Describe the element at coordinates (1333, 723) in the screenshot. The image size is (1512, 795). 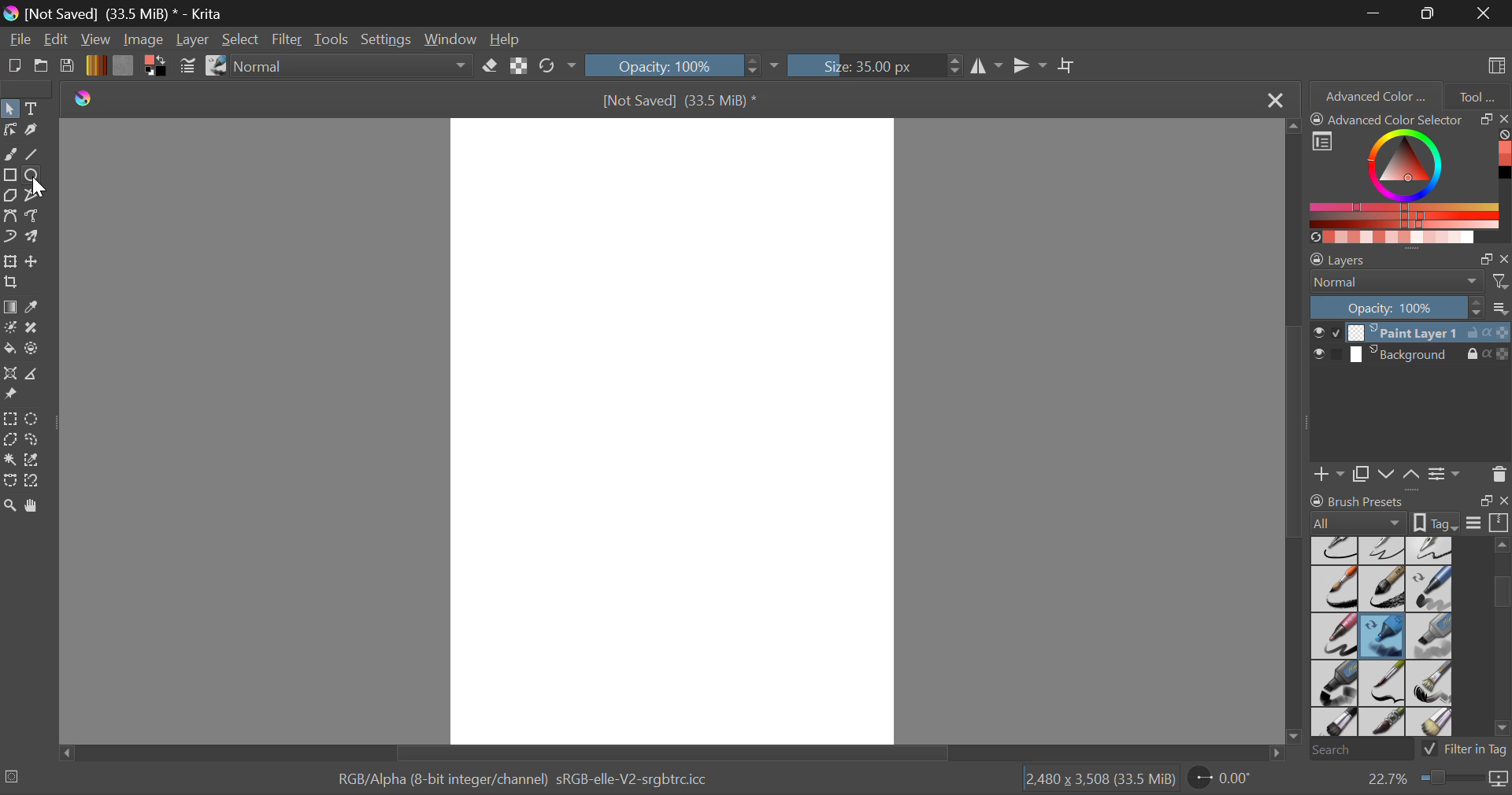
I see `Bristles-3 Large Smooth` at that location.